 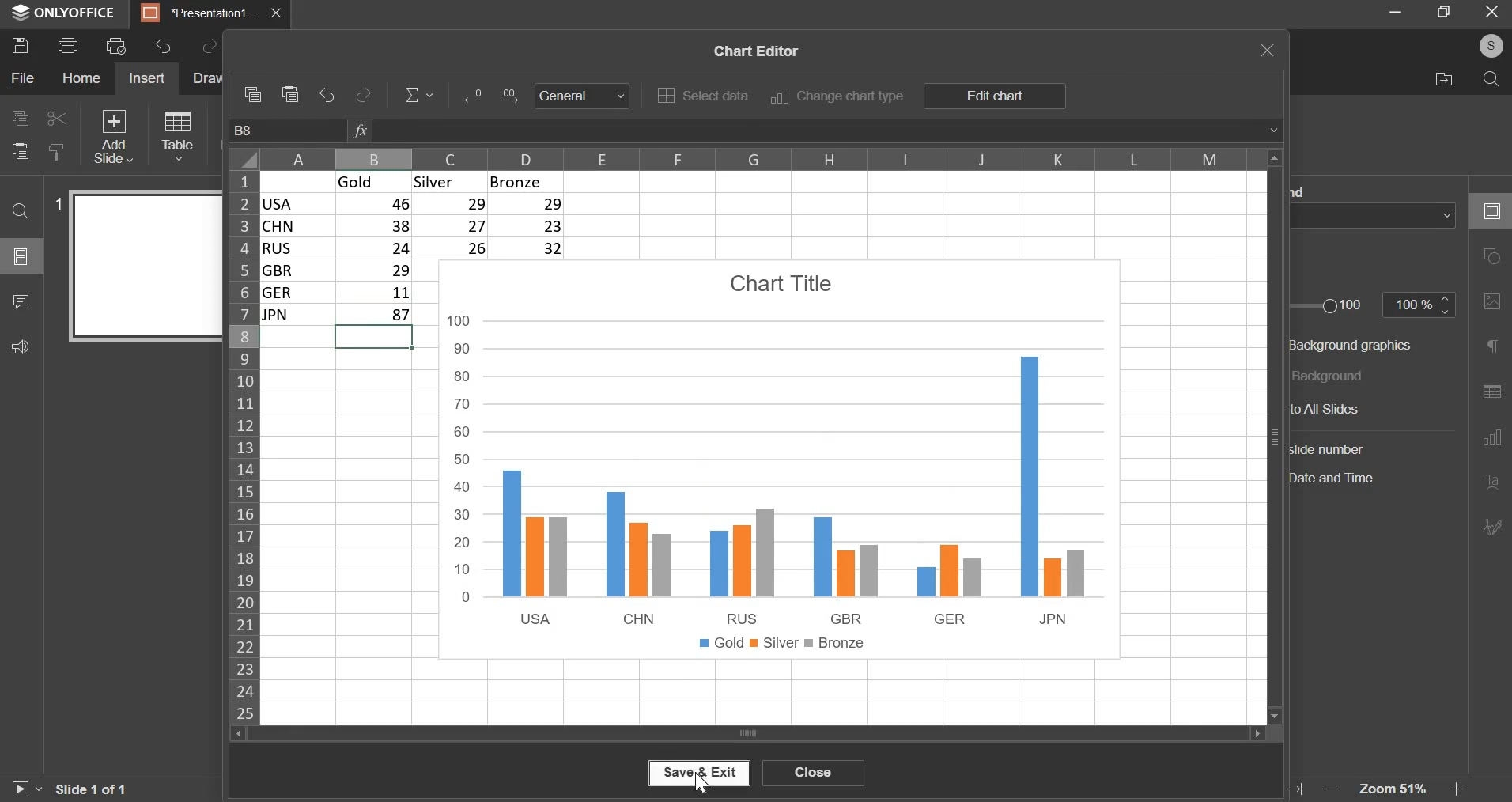 What do you see at coordinates (376, 270) in the screenshot?
I see `| 29` at bounding box center [376, 270].